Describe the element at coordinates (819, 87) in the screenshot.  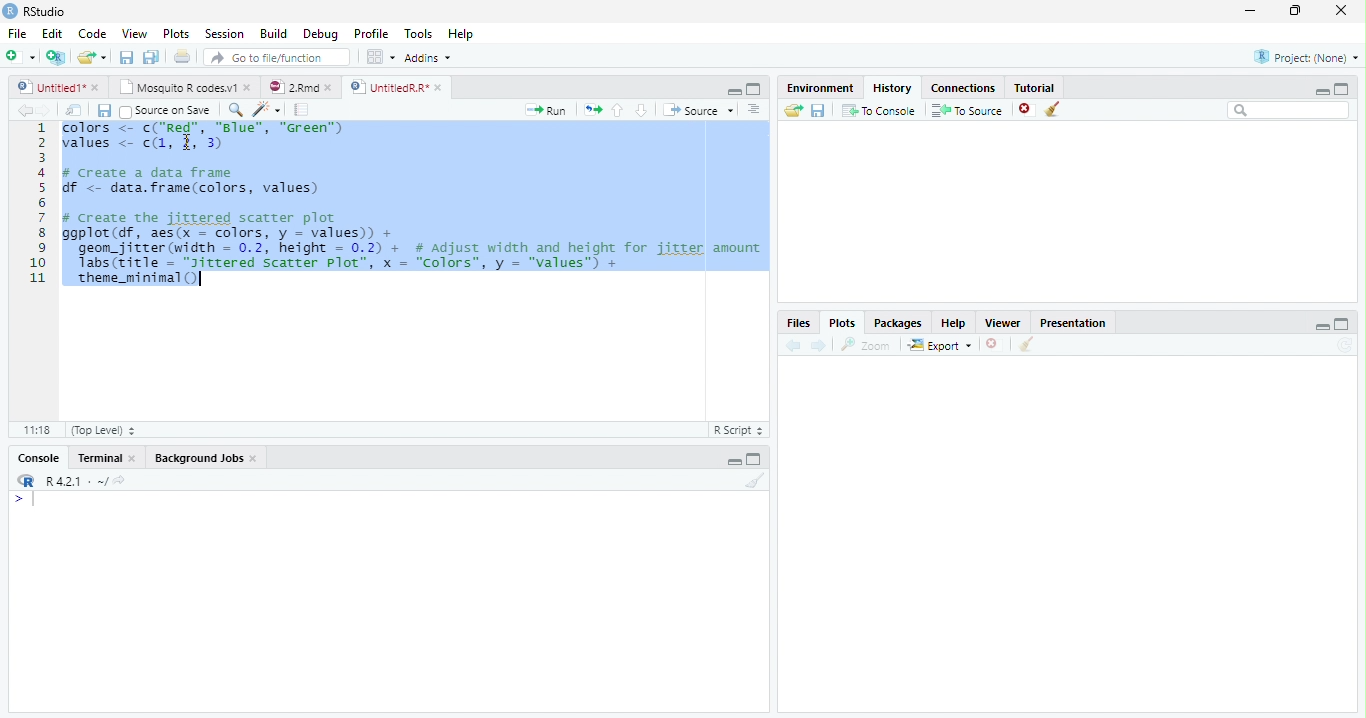
I see `Environment` at that location.